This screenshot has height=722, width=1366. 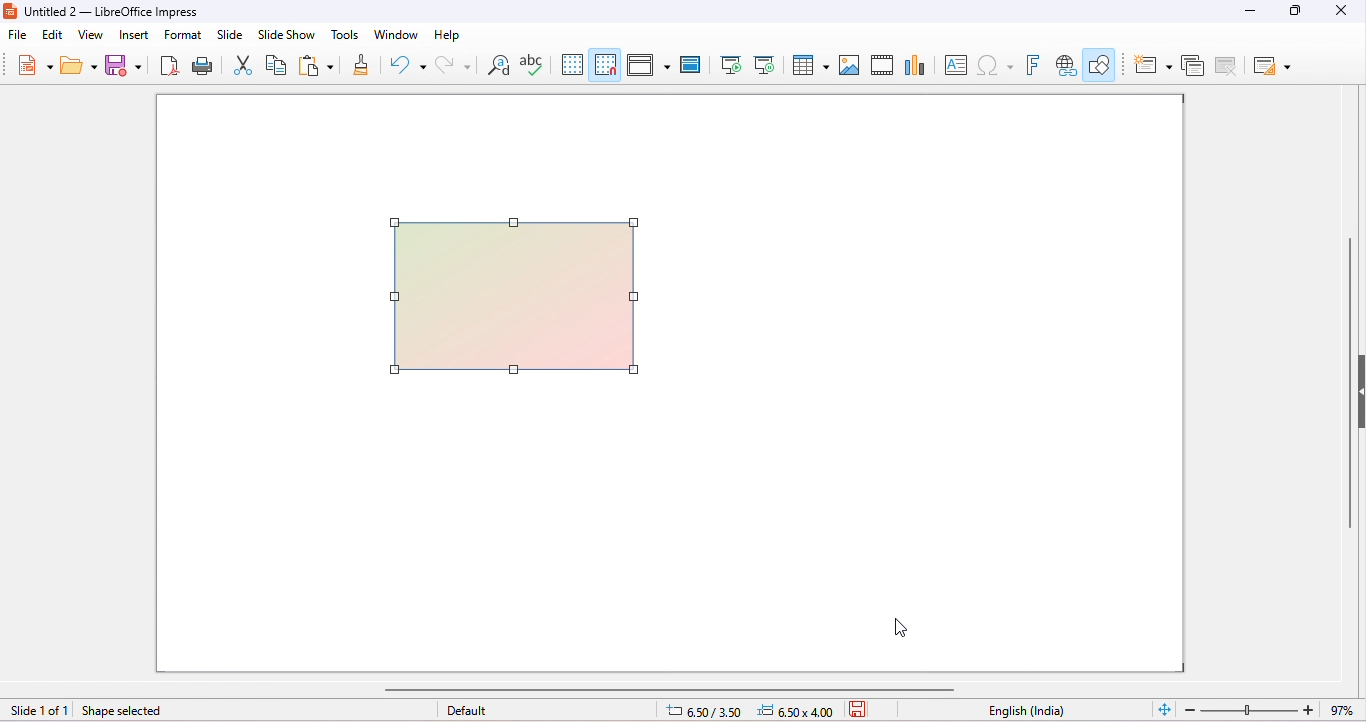 I want to click on display grid, so click(x=573, y=64).